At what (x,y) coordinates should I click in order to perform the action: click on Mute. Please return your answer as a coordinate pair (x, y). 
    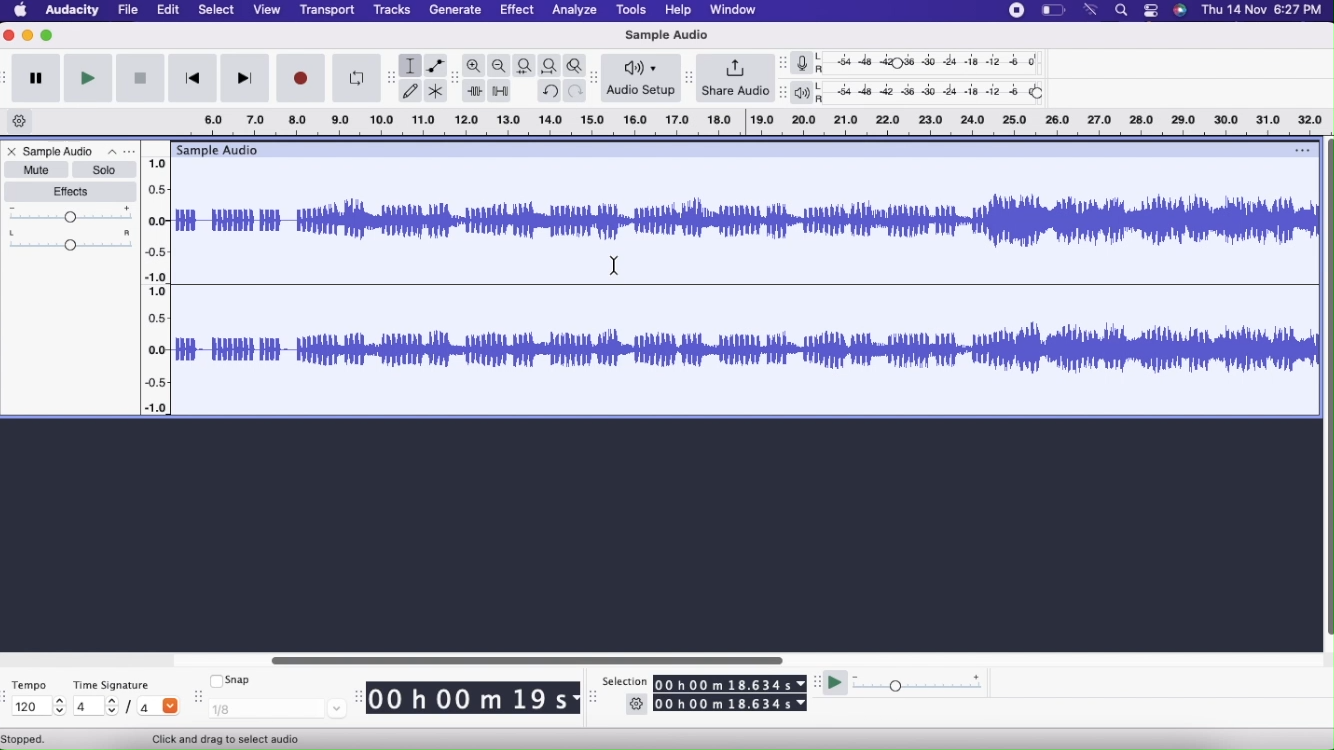
    Looking at the image, I should click on (36, 169).